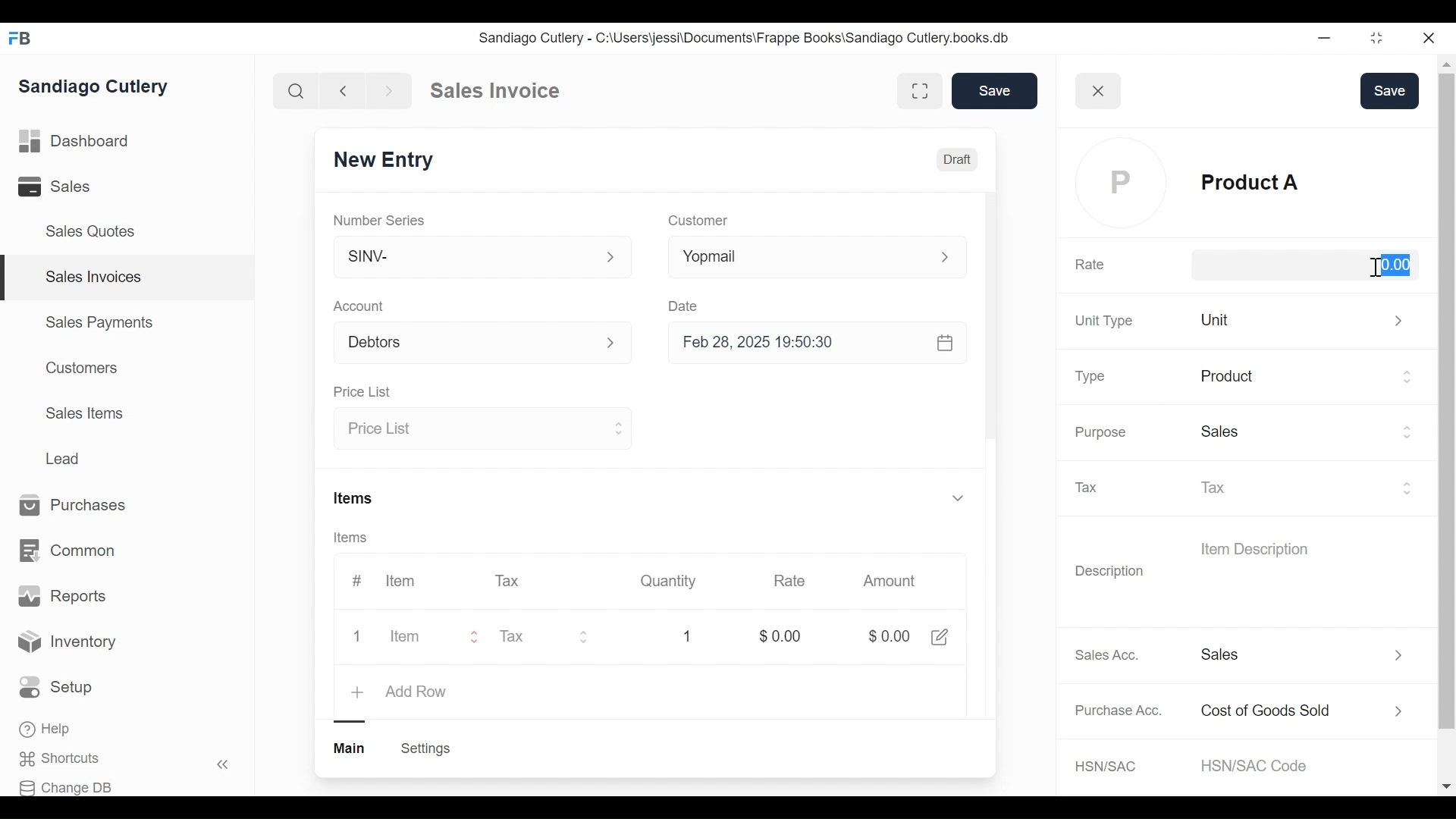 The height and width of the screenshot is (819, 1456). Describe the element at coordinates (70, 551) in the screenshot. I see `Common` at that location.